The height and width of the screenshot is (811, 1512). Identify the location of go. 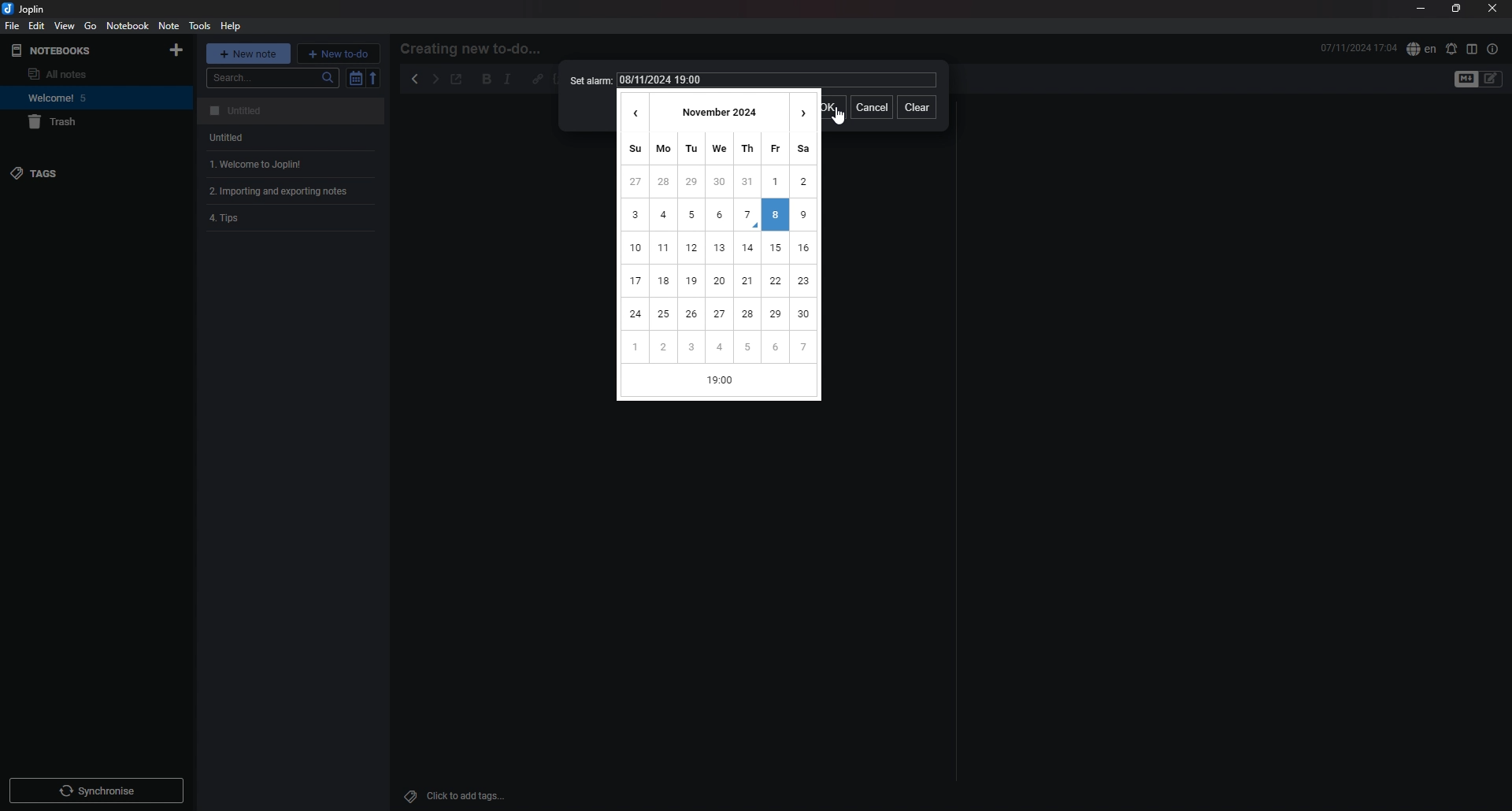
(91, 26).